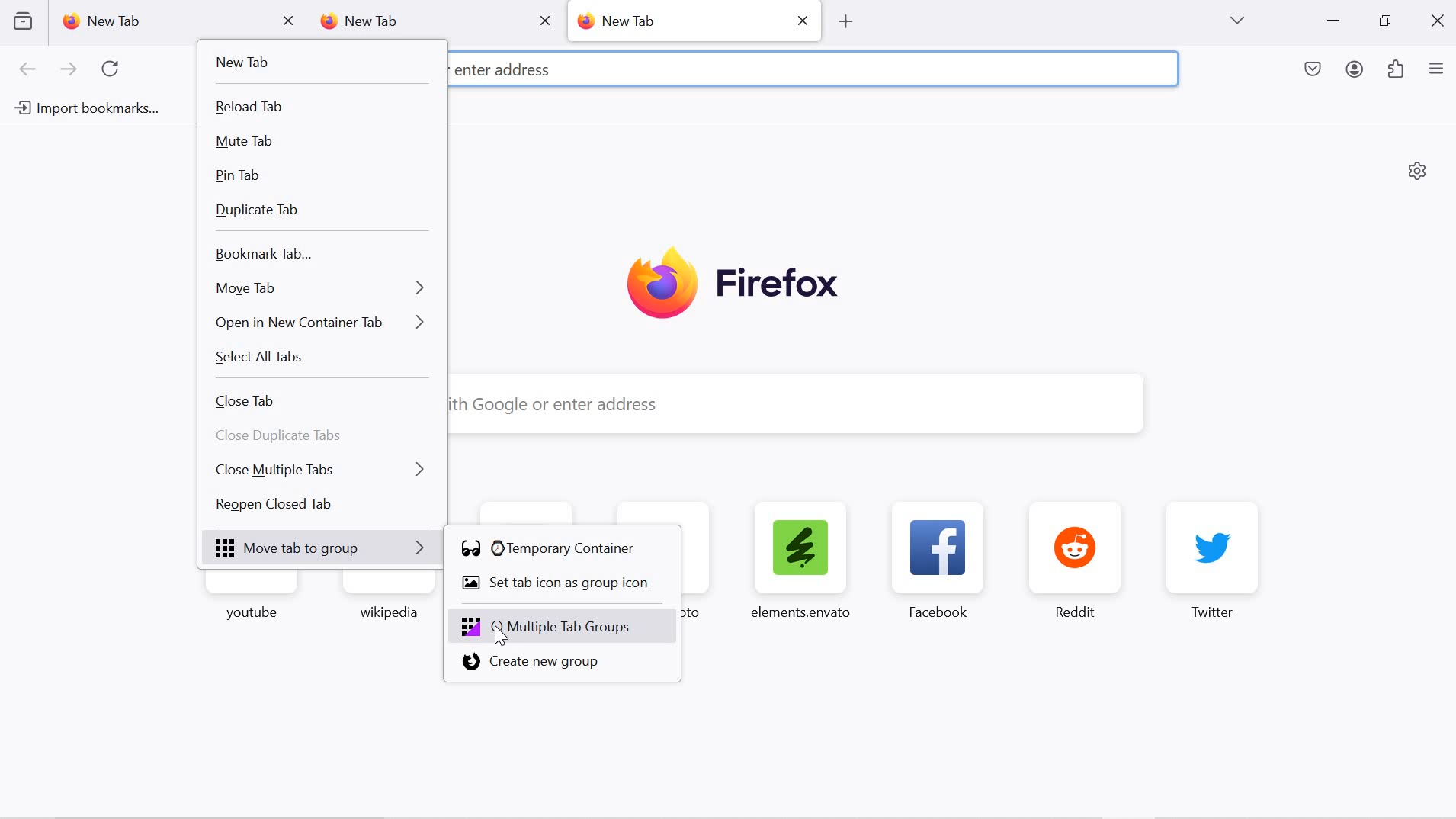 Image resolution: width=1456 pixels, height=819 pixels. Describe the element at coordinates (319, 287) in the screenshot. I see `move tab` at that location.